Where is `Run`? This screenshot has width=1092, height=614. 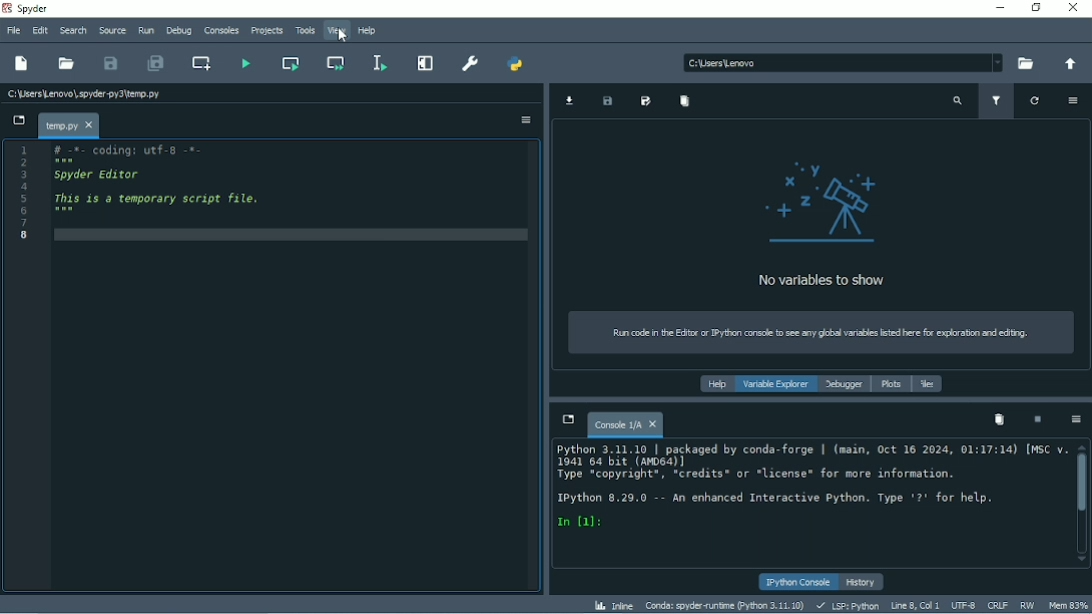
Run is located at coordinates (145, 31).